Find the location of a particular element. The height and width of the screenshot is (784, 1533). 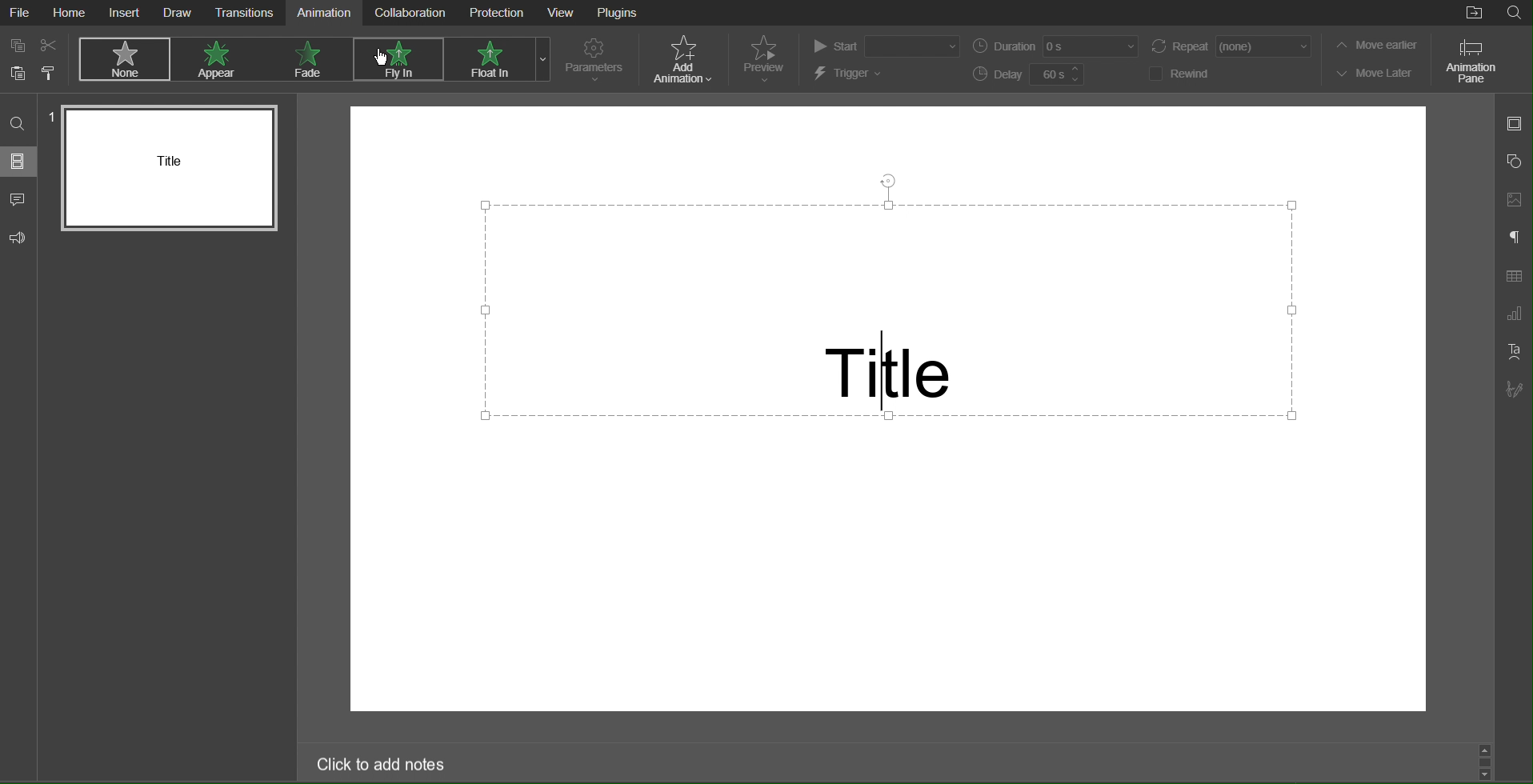

Comments is located at coordinates (19, 201).